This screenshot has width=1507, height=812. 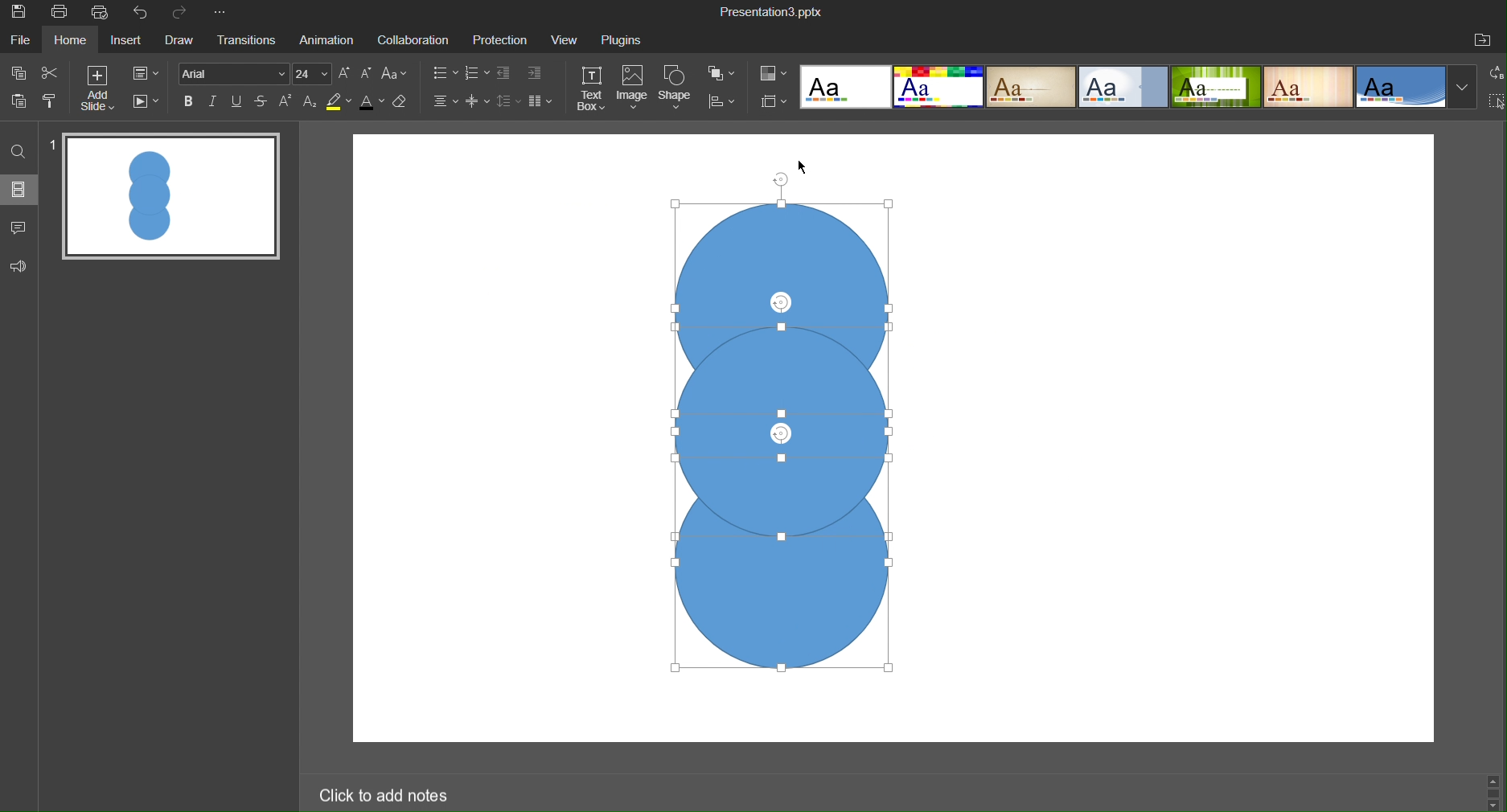 What do you see at coordinates (103, 13) in the screenshot?
I see `Quick Print` at bounding box center [103, 13].